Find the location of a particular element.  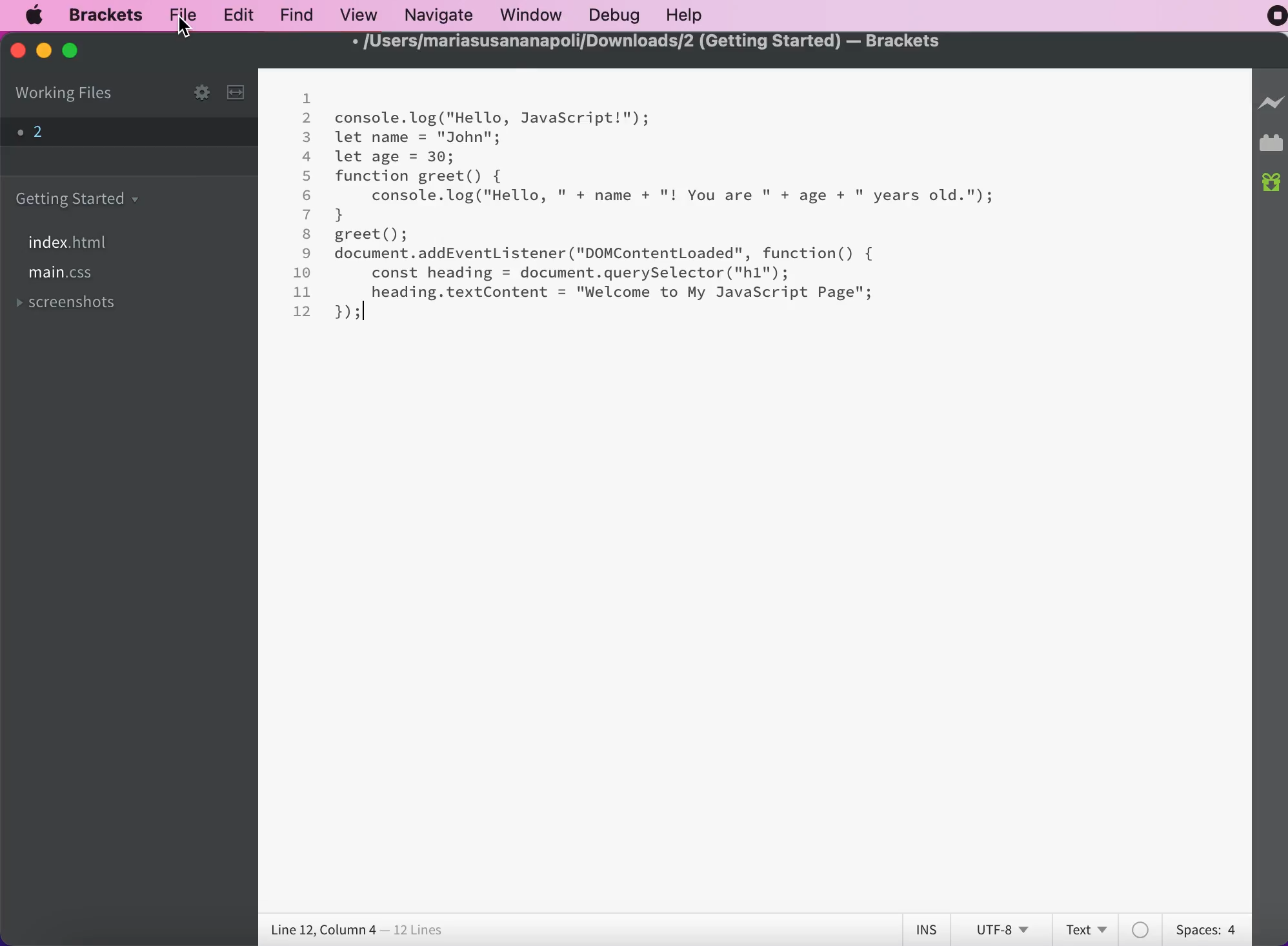

2 is located at coordinates (308, 118).